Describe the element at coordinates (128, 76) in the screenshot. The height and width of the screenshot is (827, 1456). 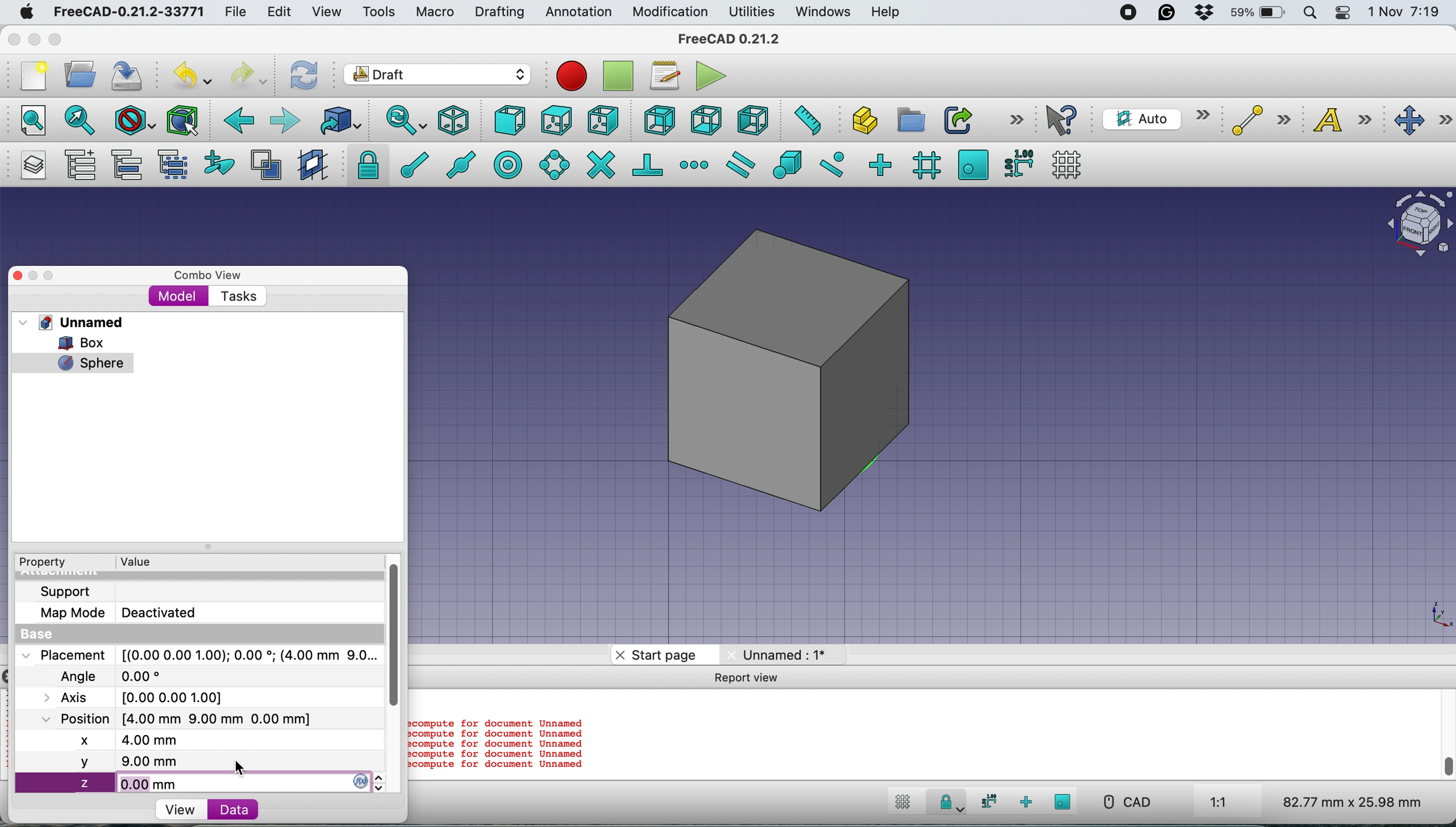
I see `save` at that location.